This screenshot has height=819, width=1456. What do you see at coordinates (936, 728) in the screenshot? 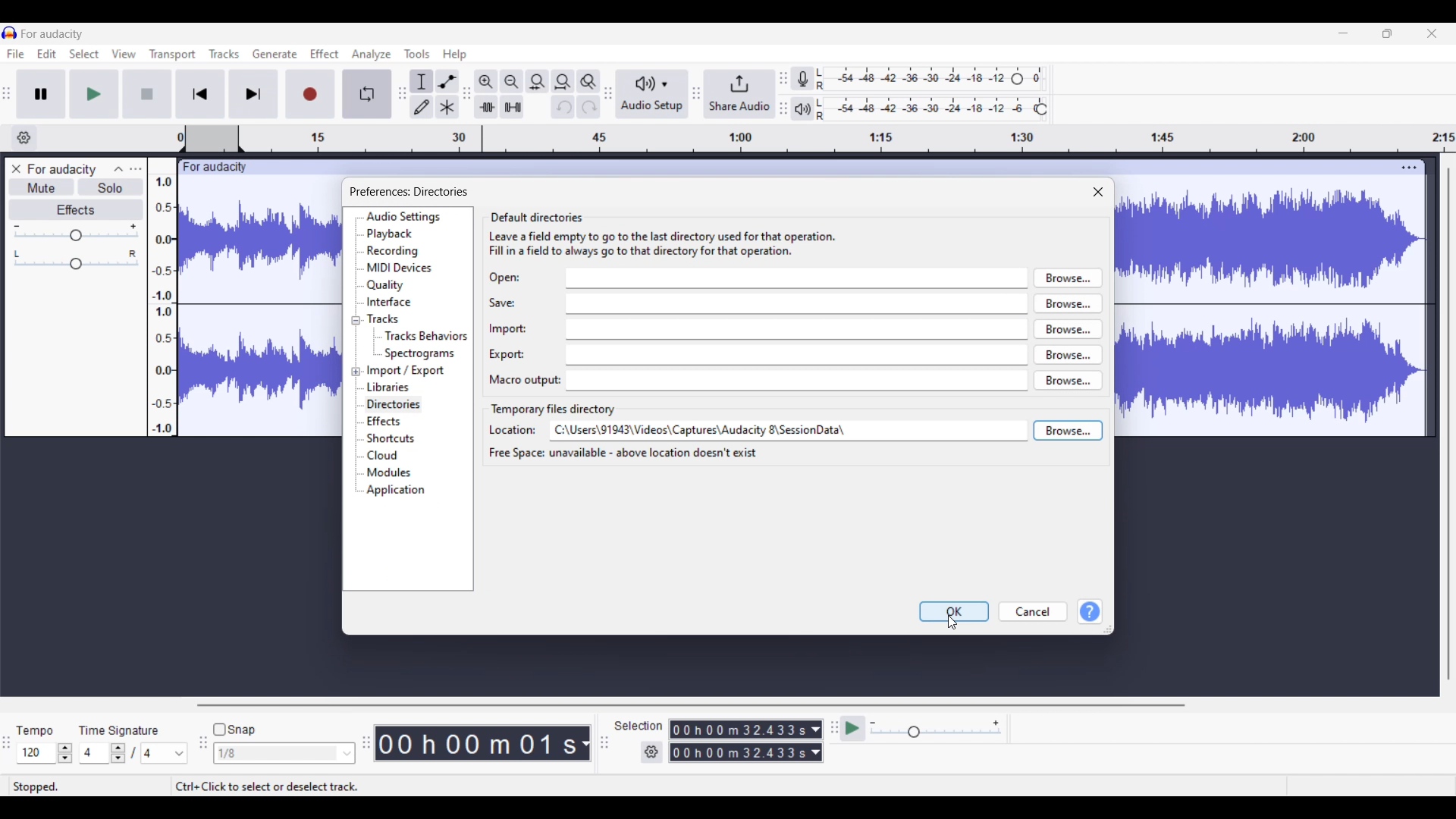
I see `Playback speed scale` at bounding box center [936, 728].